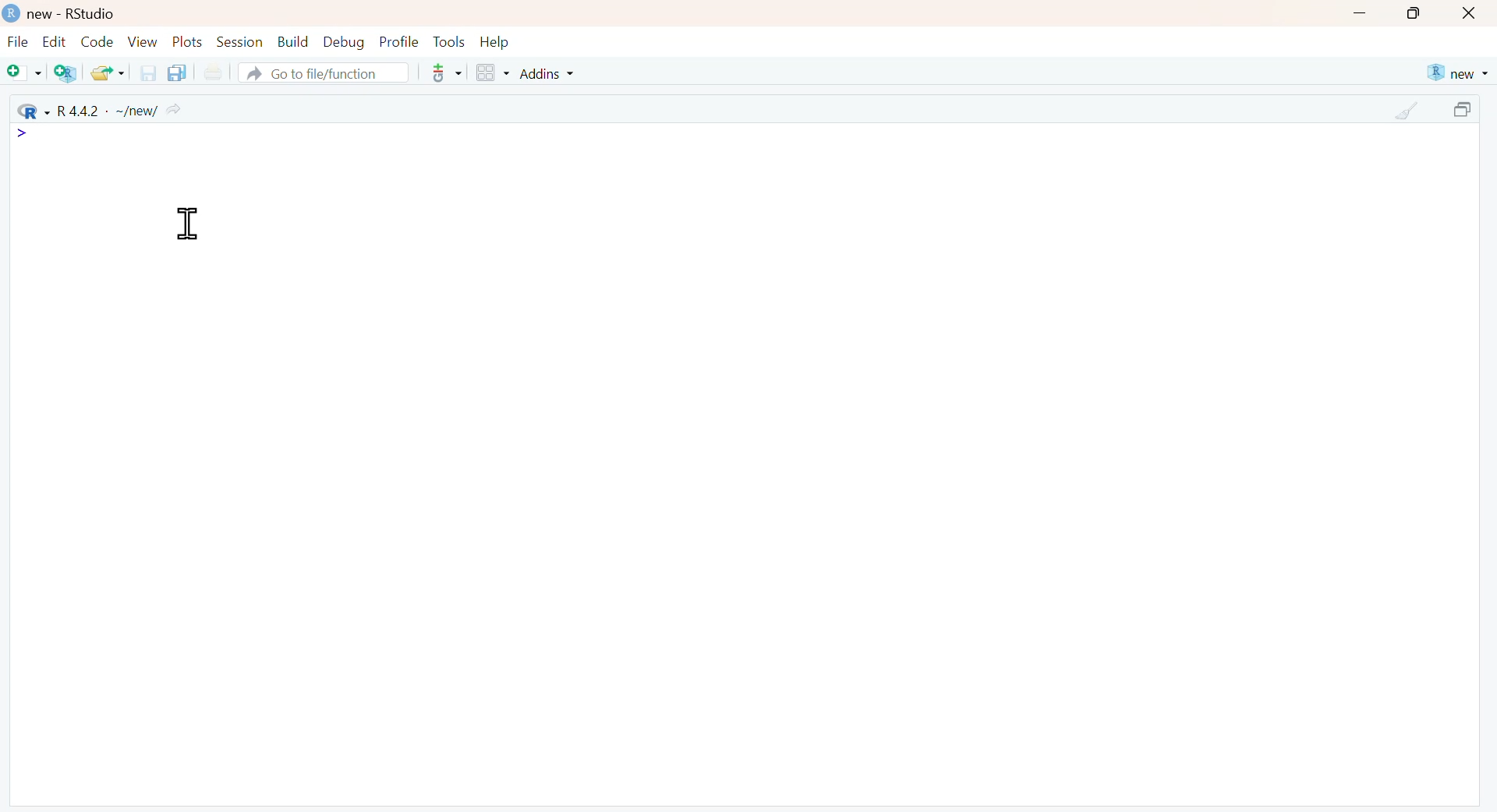 Image resolution: width=1497 pixels, height=812 pixels. What do you see at coordinates (322, 72) in the screenshot?
I see `Go to file/function` at bounding box center [322, 72].